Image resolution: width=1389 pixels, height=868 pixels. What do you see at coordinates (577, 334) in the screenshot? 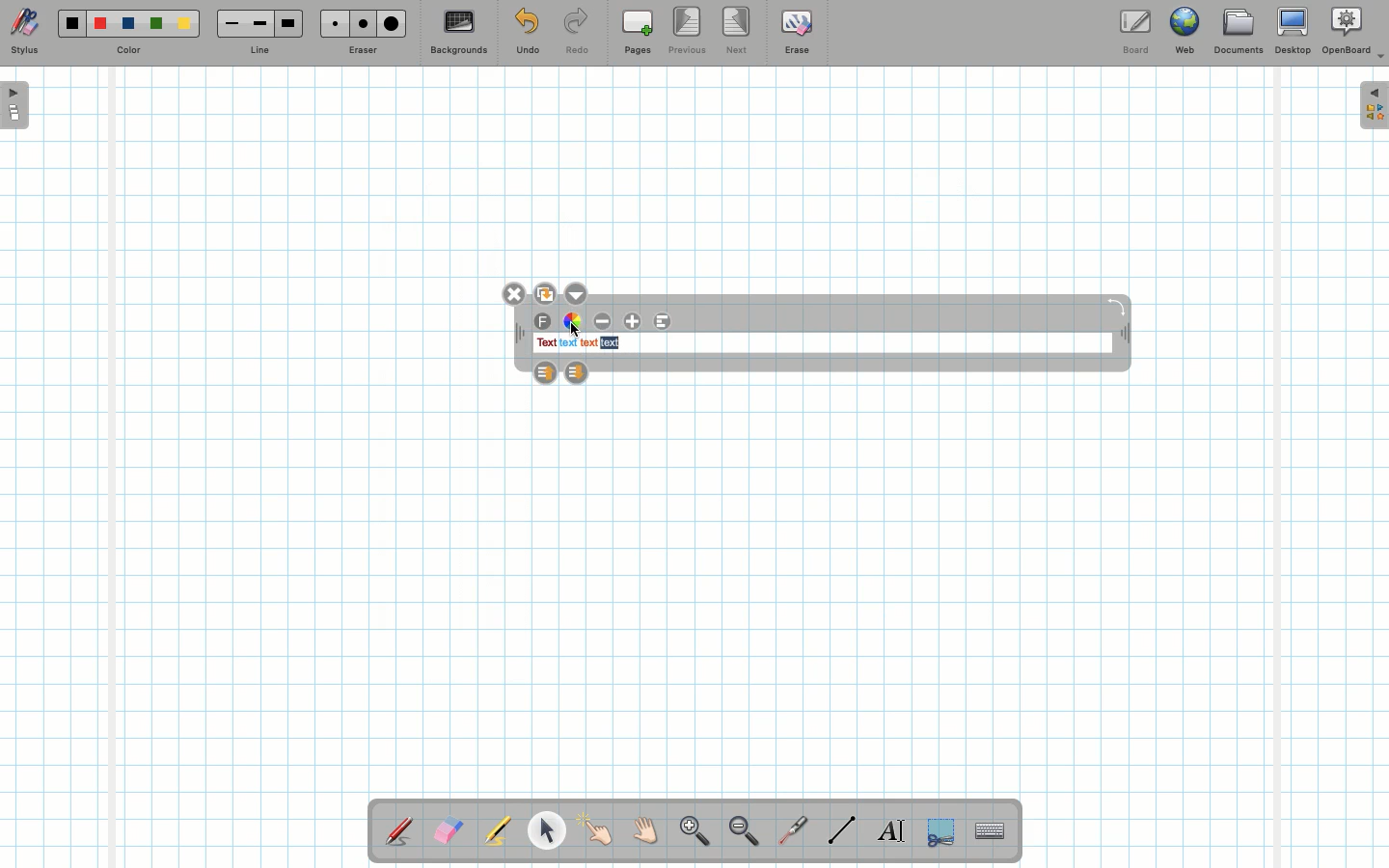
I see `cursor` at bounding box center [577, 334].